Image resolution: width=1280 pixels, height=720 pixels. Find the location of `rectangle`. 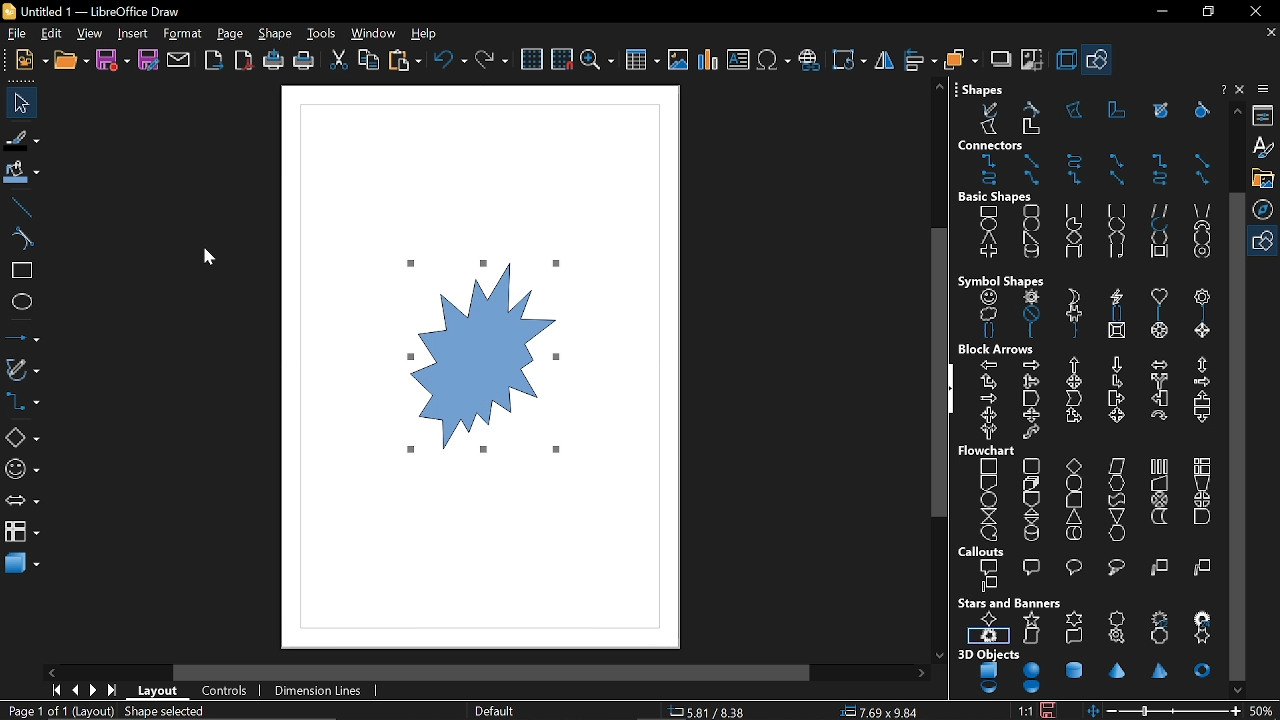

rectangle is located at coordinates (18, 271).